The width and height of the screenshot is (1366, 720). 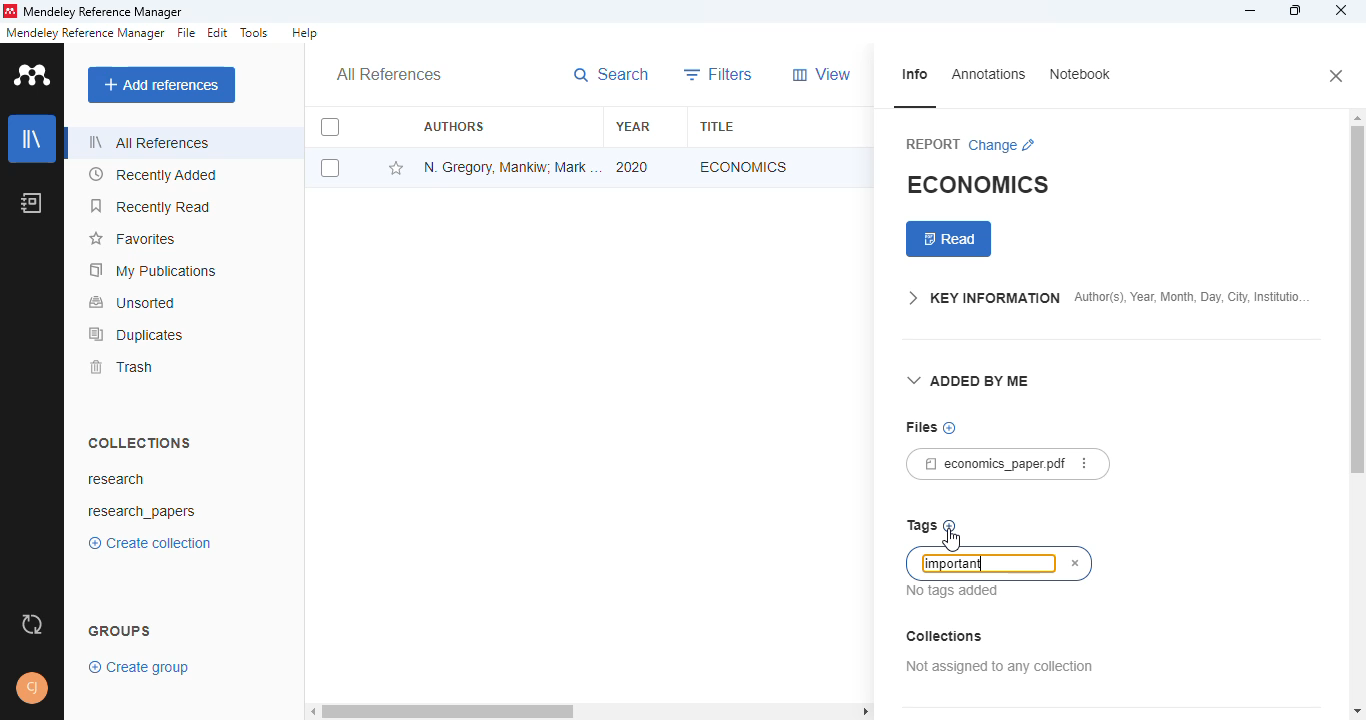 I want to click on close, so click(x=1338, y=77).